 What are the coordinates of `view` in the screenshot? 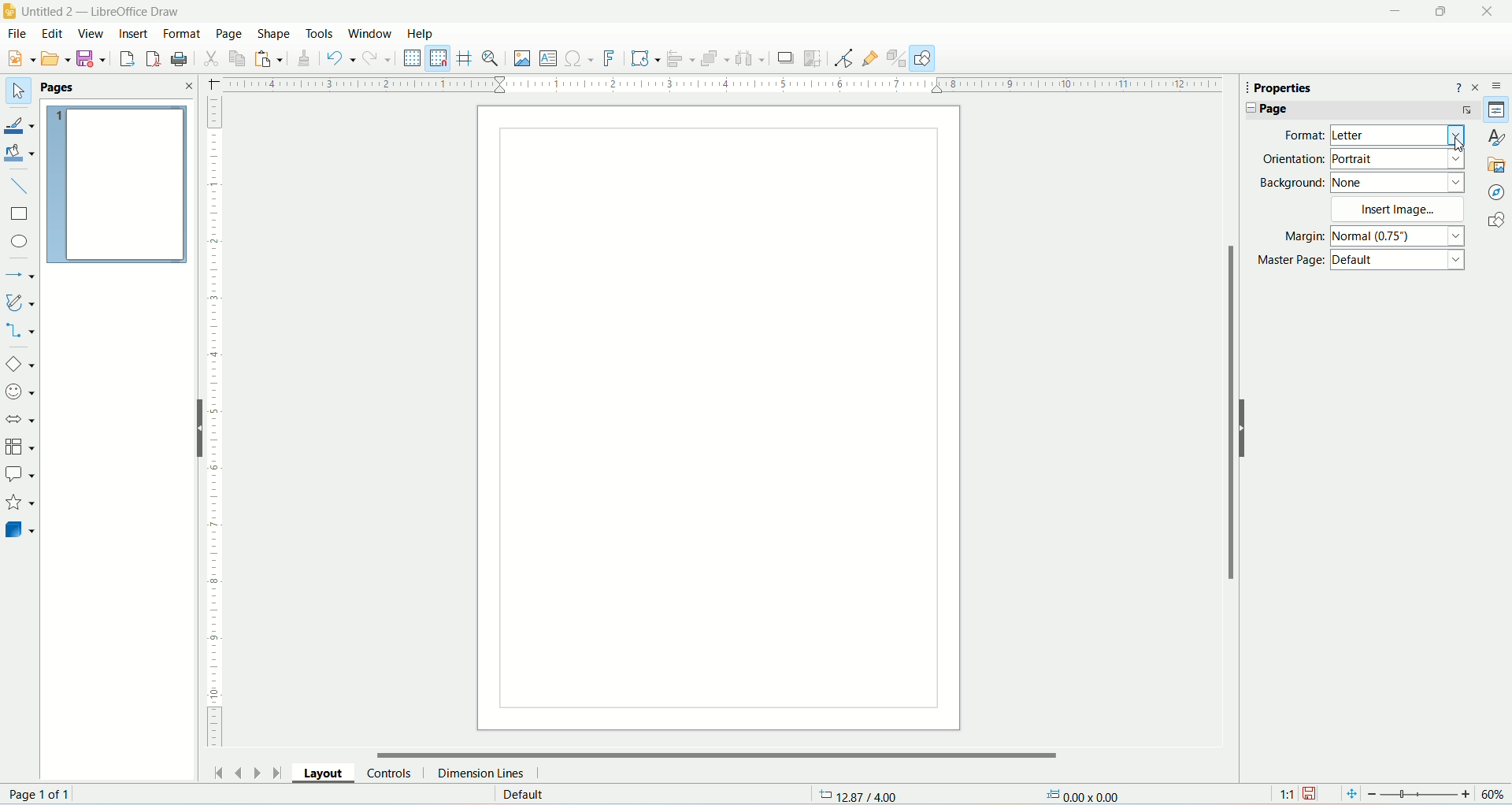 It's located at (91, 33).